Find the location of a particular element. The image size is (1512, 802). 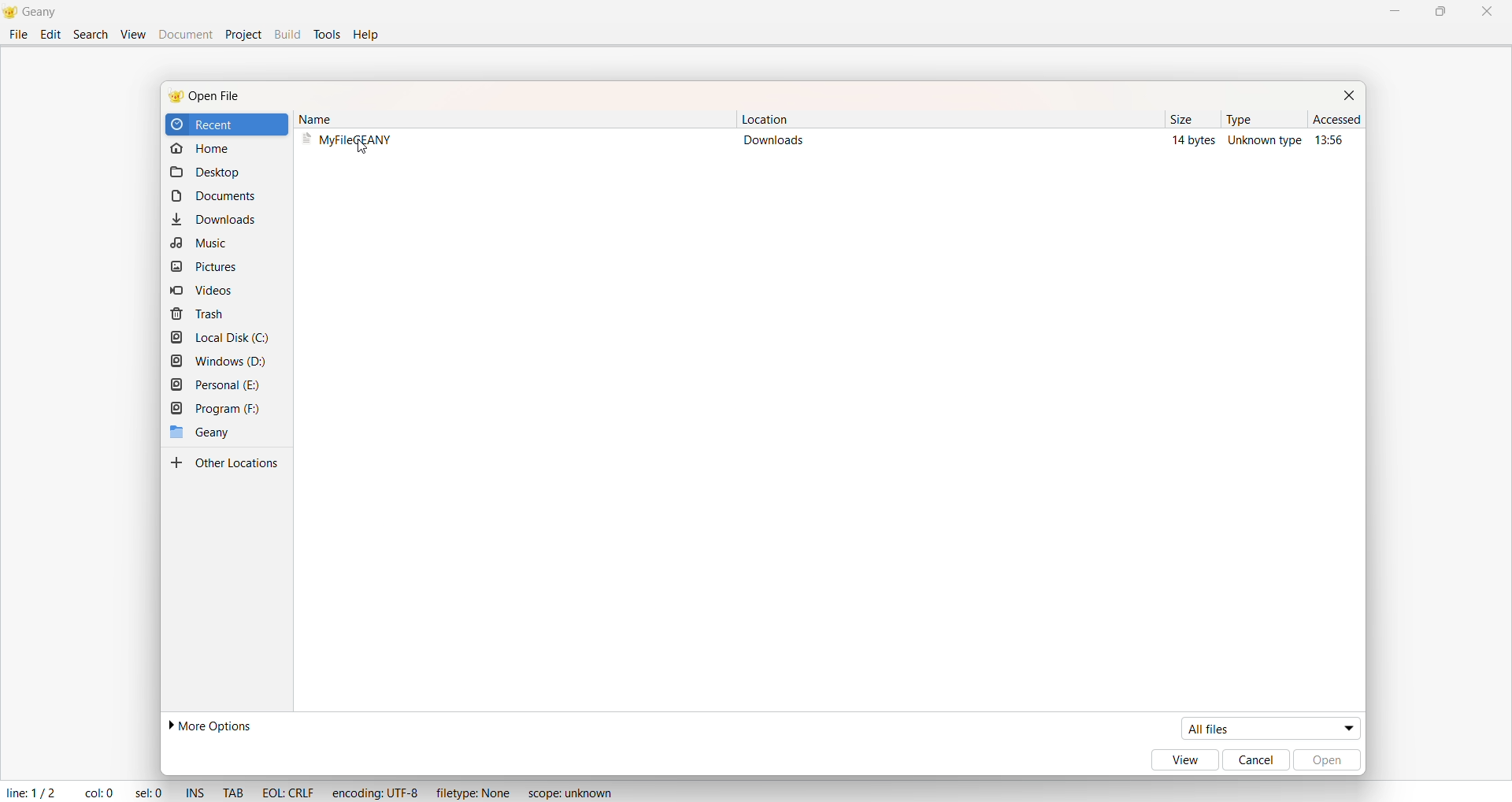

cursor is located at coordinates (367, 146).